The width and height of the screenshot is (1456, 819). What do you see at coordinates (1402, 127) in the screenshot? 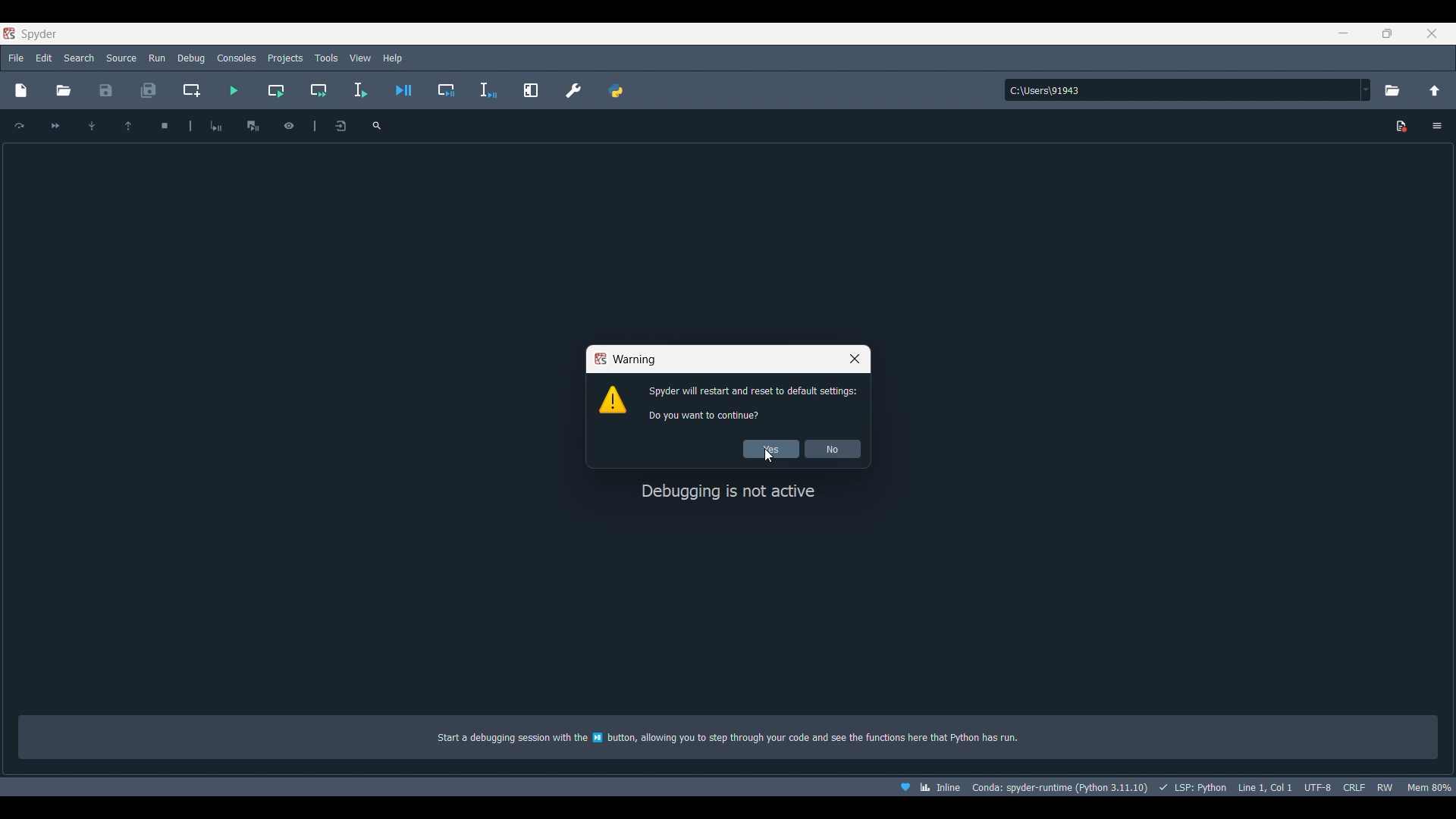
I see `Document` at bounding box center [1402, 127].